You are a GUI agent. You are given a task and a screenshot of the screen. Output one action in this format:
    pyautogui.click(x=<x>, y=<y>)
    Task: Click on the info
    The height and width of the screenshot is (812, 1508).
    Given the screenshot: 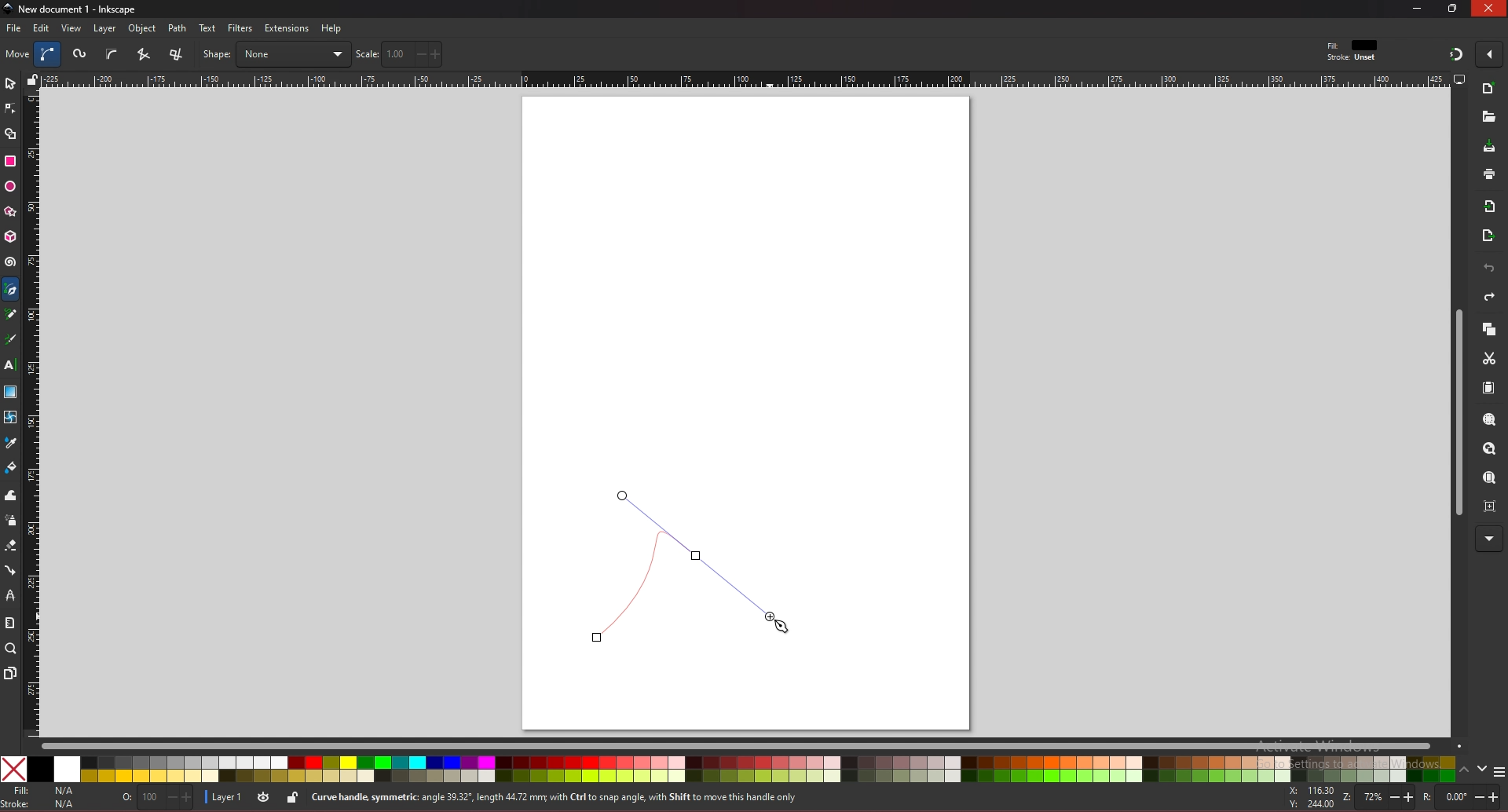 What is the action you would take?
    pyautogui.click(x=588, y=798)
    